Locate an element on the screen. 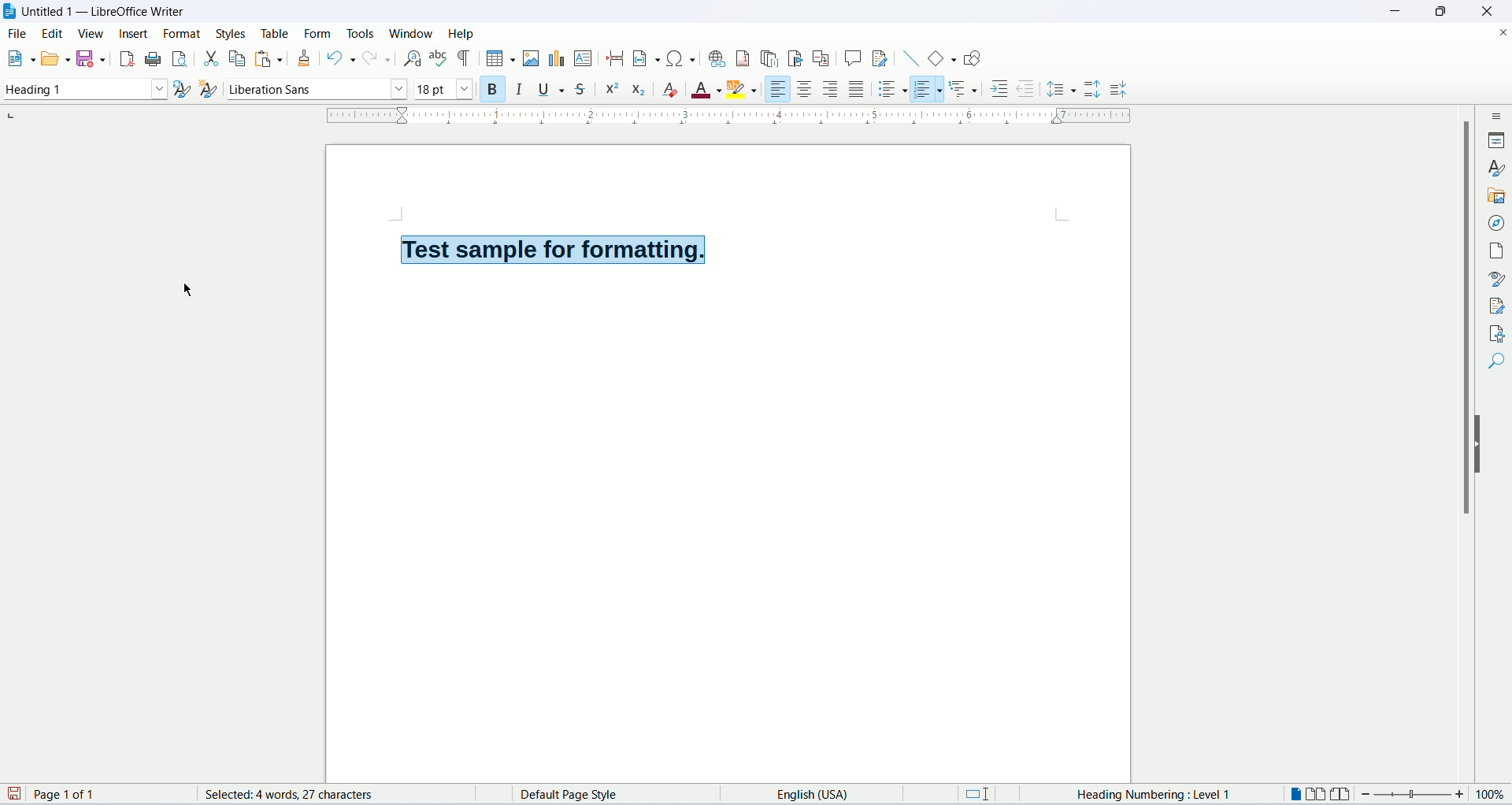  insert field is located at coordinates (644, 57).